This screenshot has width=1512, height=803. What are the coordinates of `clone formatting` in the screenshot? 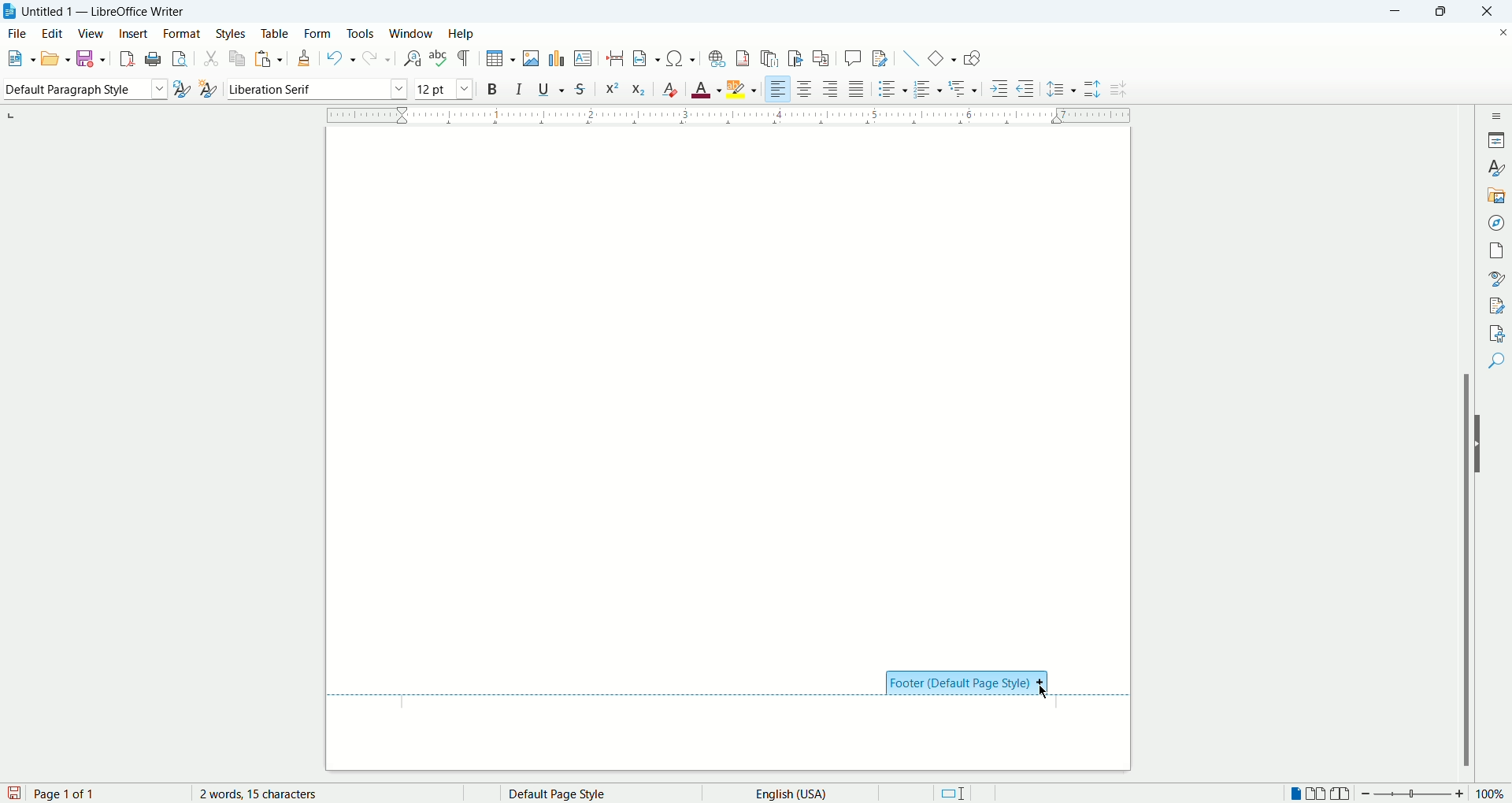 It's located at (306, 59).